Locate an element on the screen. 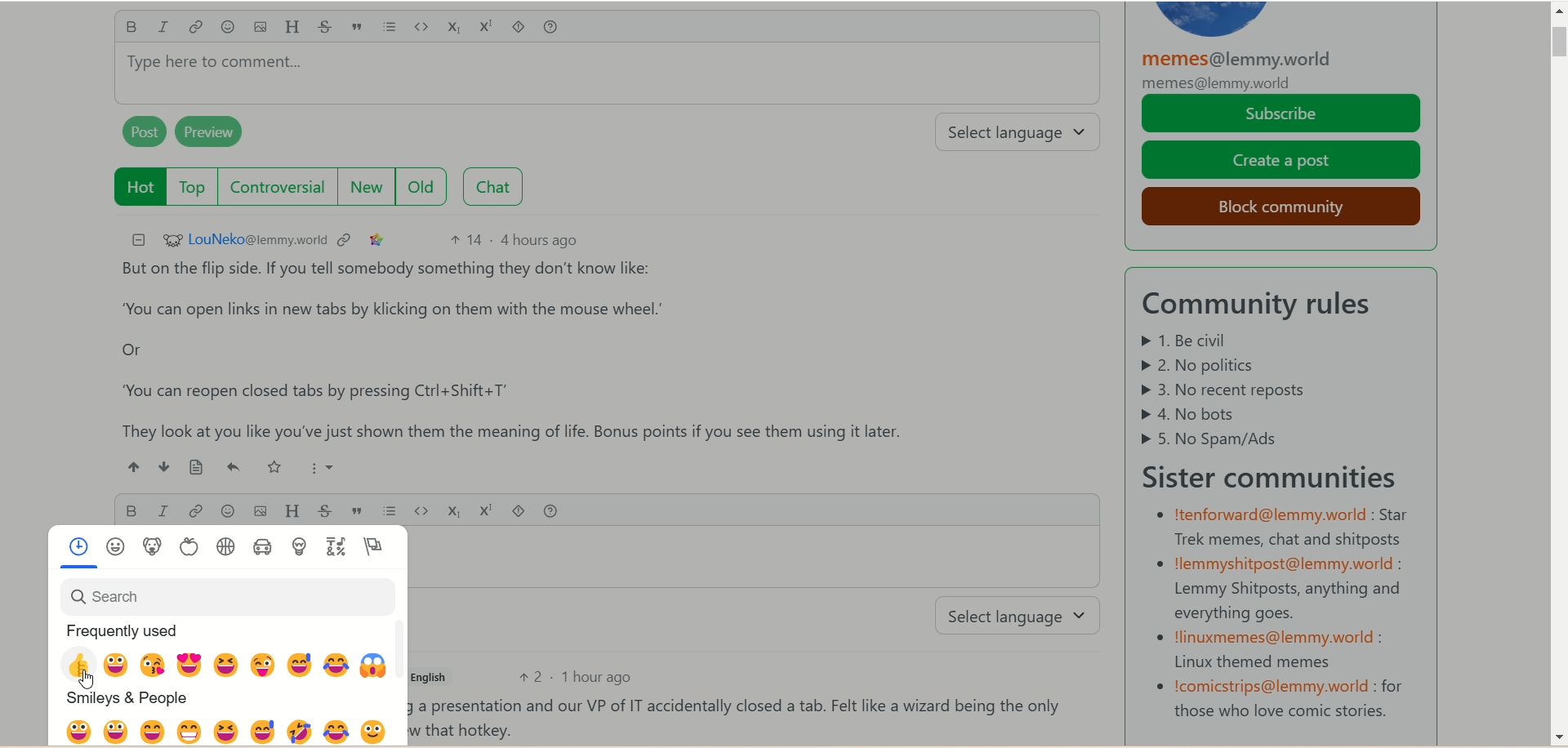  type comment here is located at coordinates (605, 80).